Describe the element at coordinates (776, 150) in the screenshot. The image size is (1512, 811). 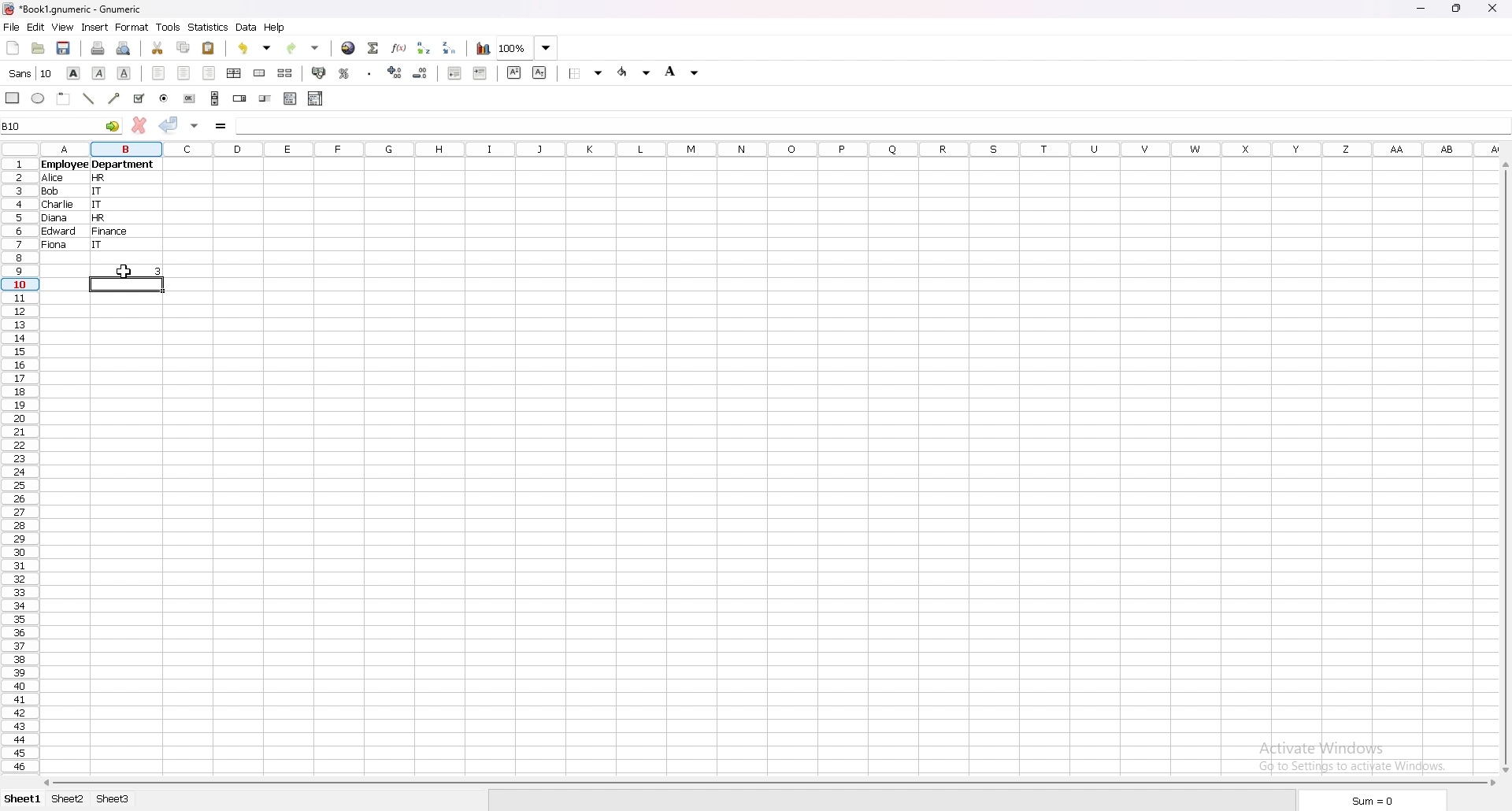
I see `selected cell column` at that location.